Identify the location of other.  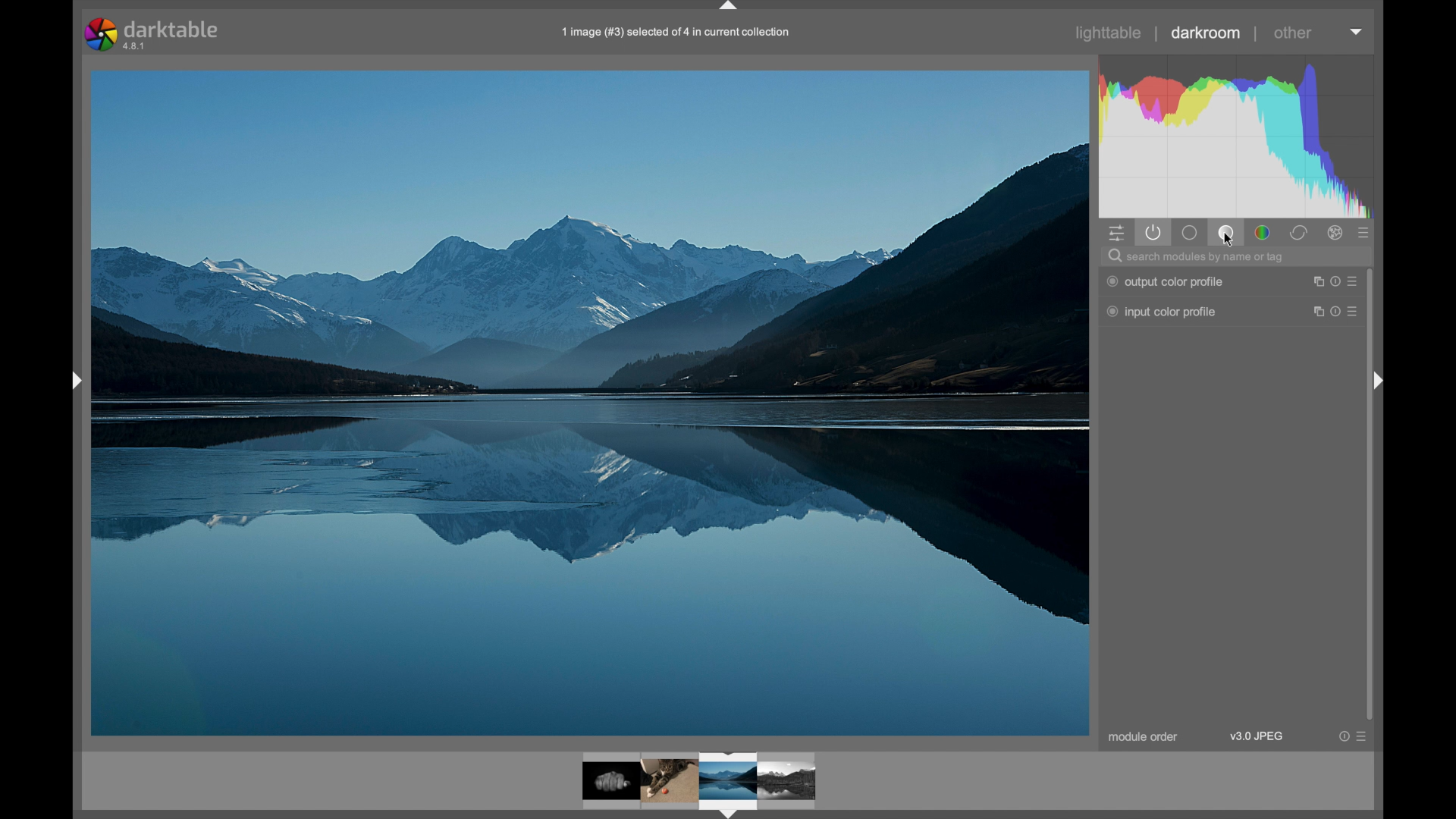
(1294, 32).